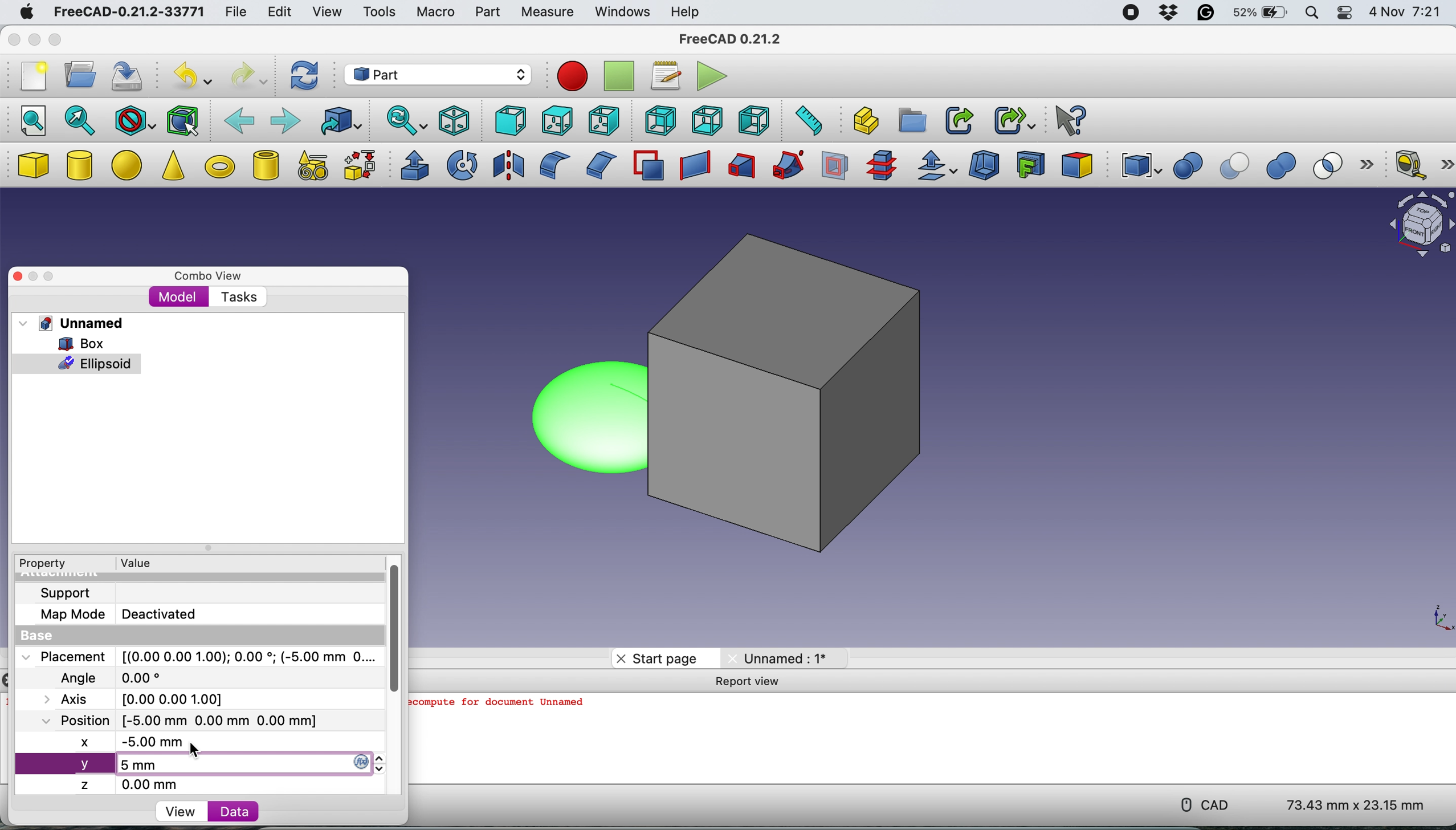 The height and width of the screenshot is (830, 1456). Describe the element at coordinates (599, 164) in the screenshot. I see `chamfer` at that location.